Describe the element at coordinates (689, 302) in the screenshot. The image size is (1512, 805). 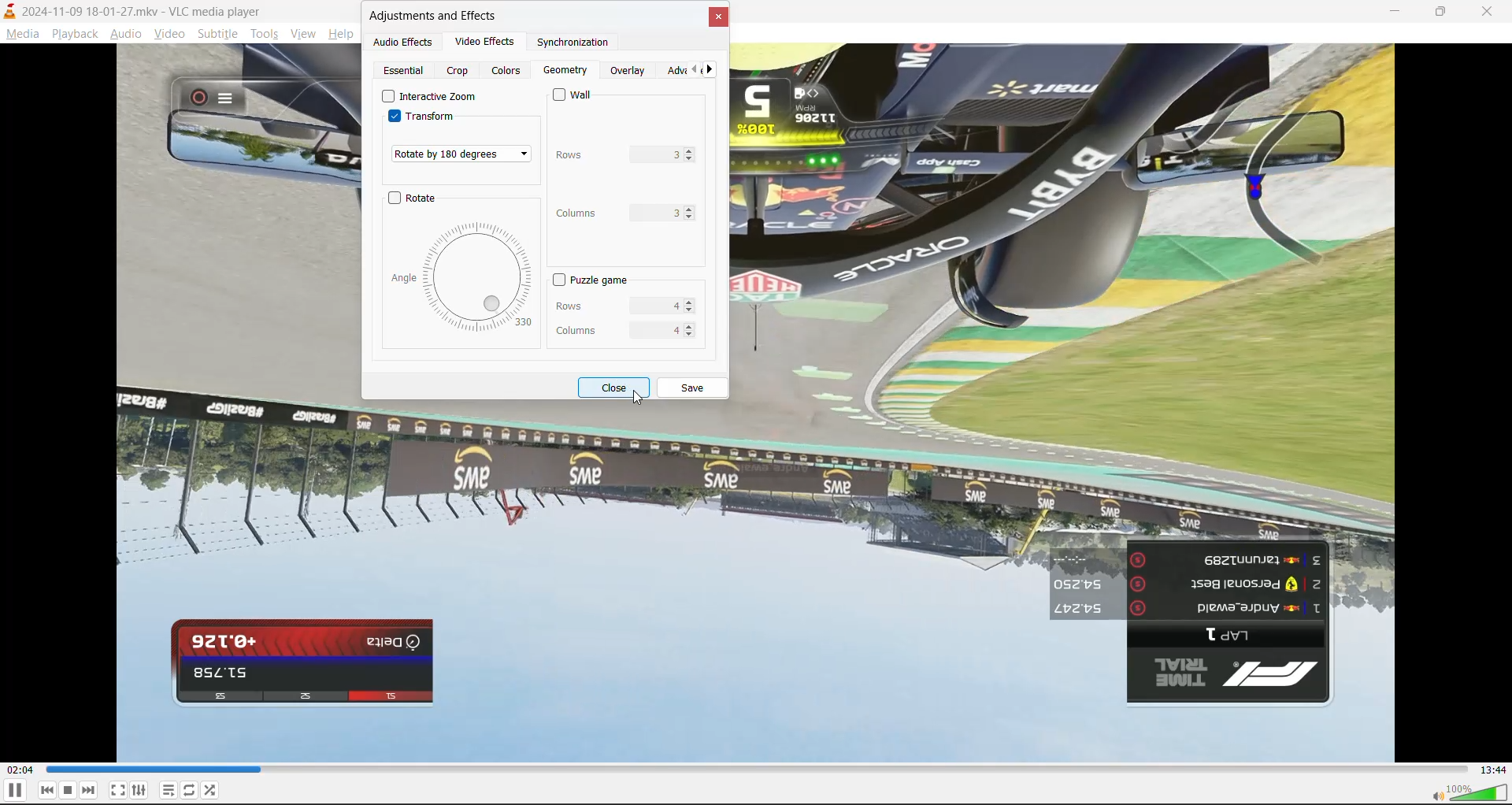
I see `Increase` at that location.